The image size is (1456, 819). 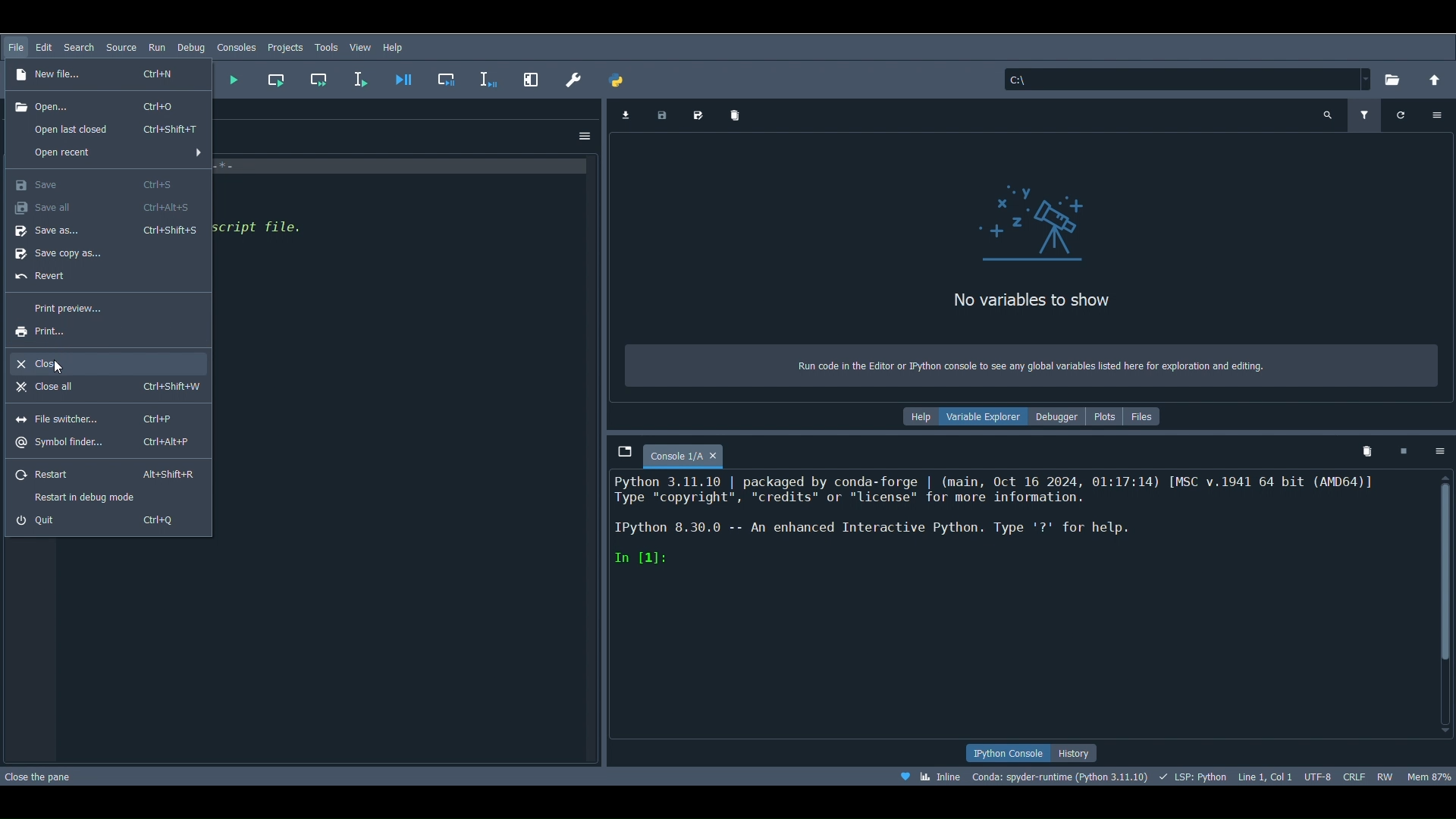 I want to click on Close all, so click(x=105, y=389).